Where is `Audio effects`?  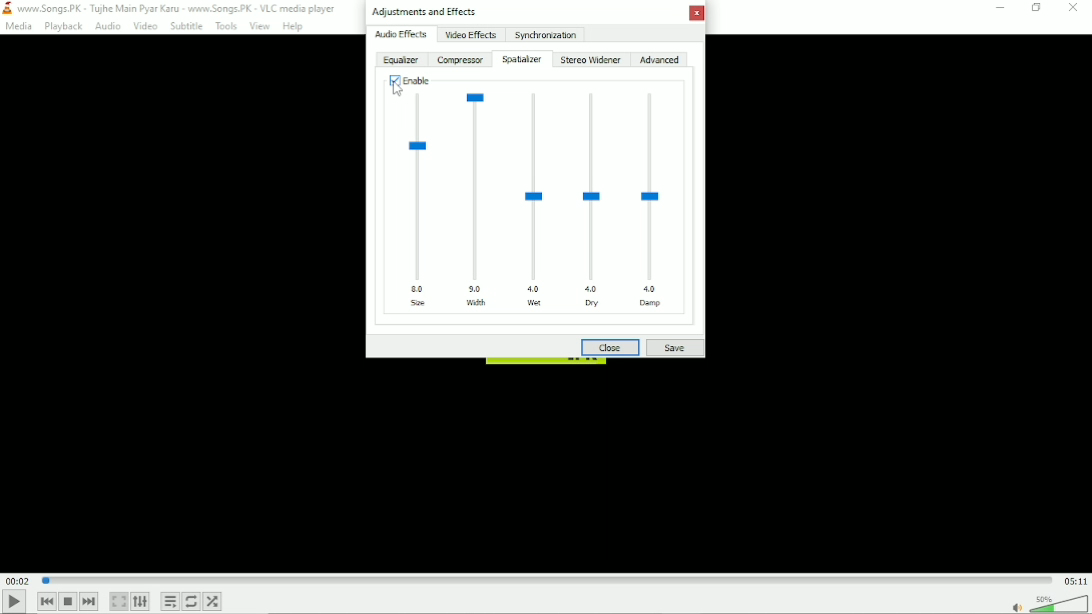
Audio effects is located at coordinates (401, 35).